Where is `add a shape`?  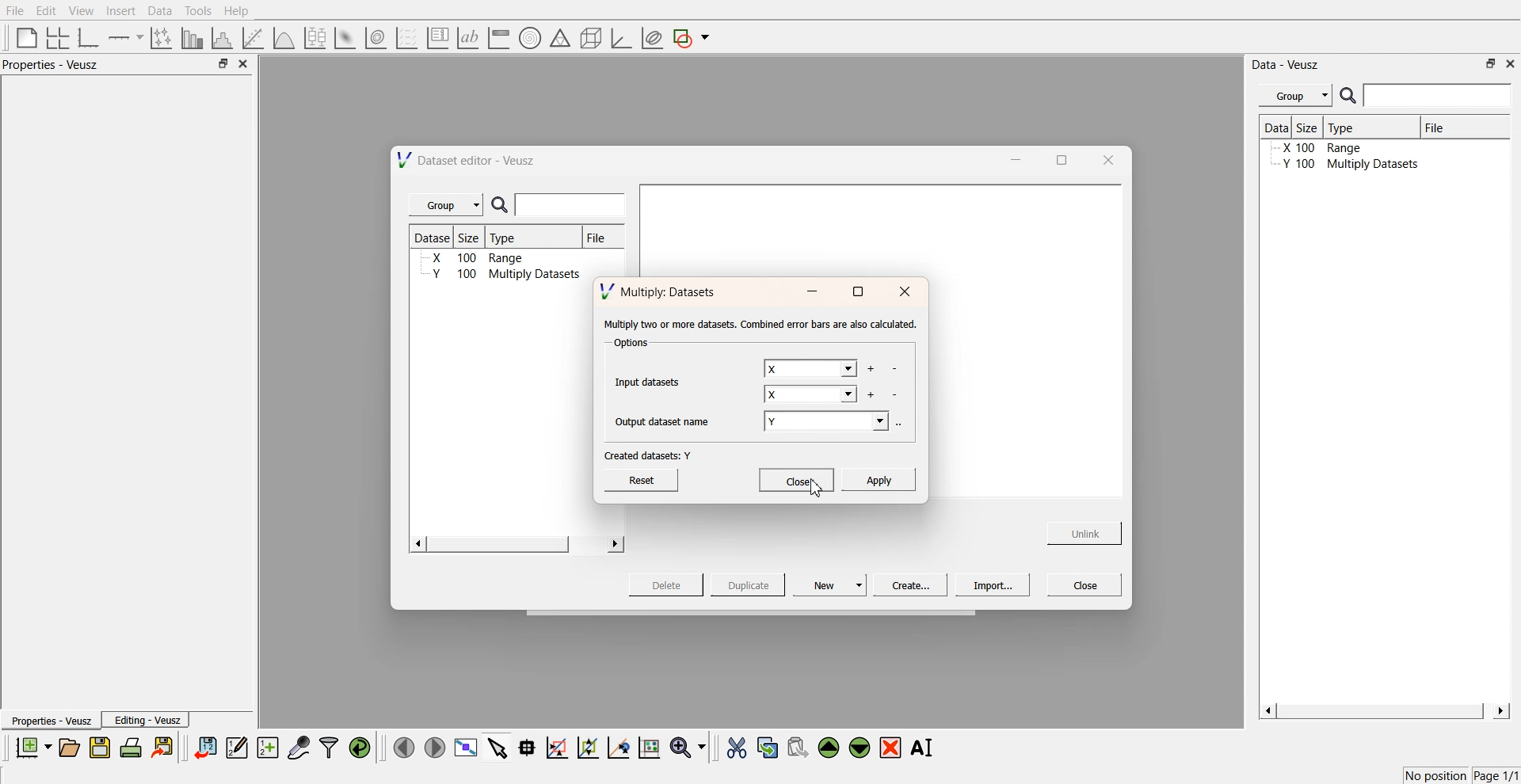 add a shape is located at coordinates (692, 39).